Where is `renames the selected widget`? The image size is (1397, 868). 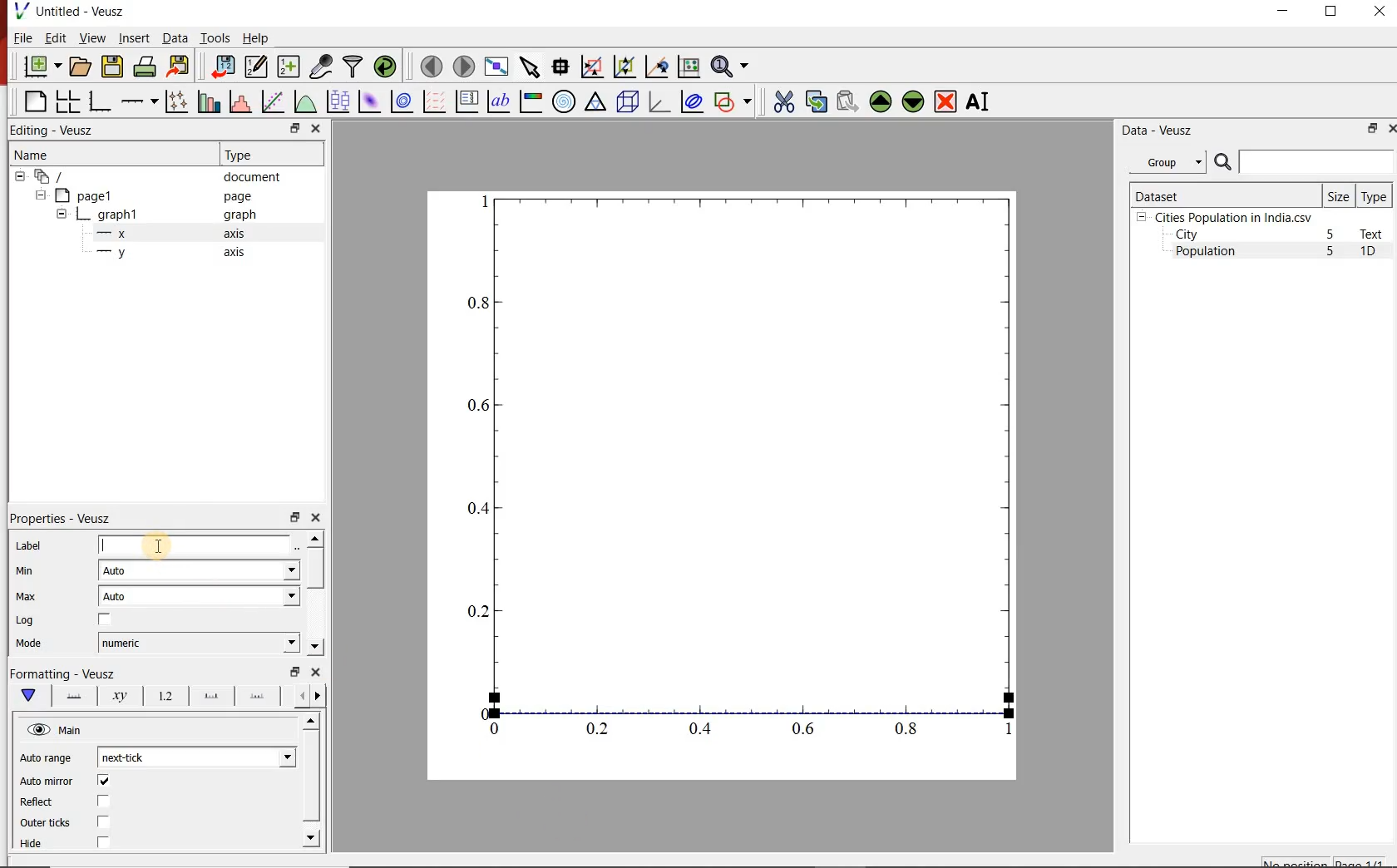
renames the selected widget is located at coordinates (979, 101).